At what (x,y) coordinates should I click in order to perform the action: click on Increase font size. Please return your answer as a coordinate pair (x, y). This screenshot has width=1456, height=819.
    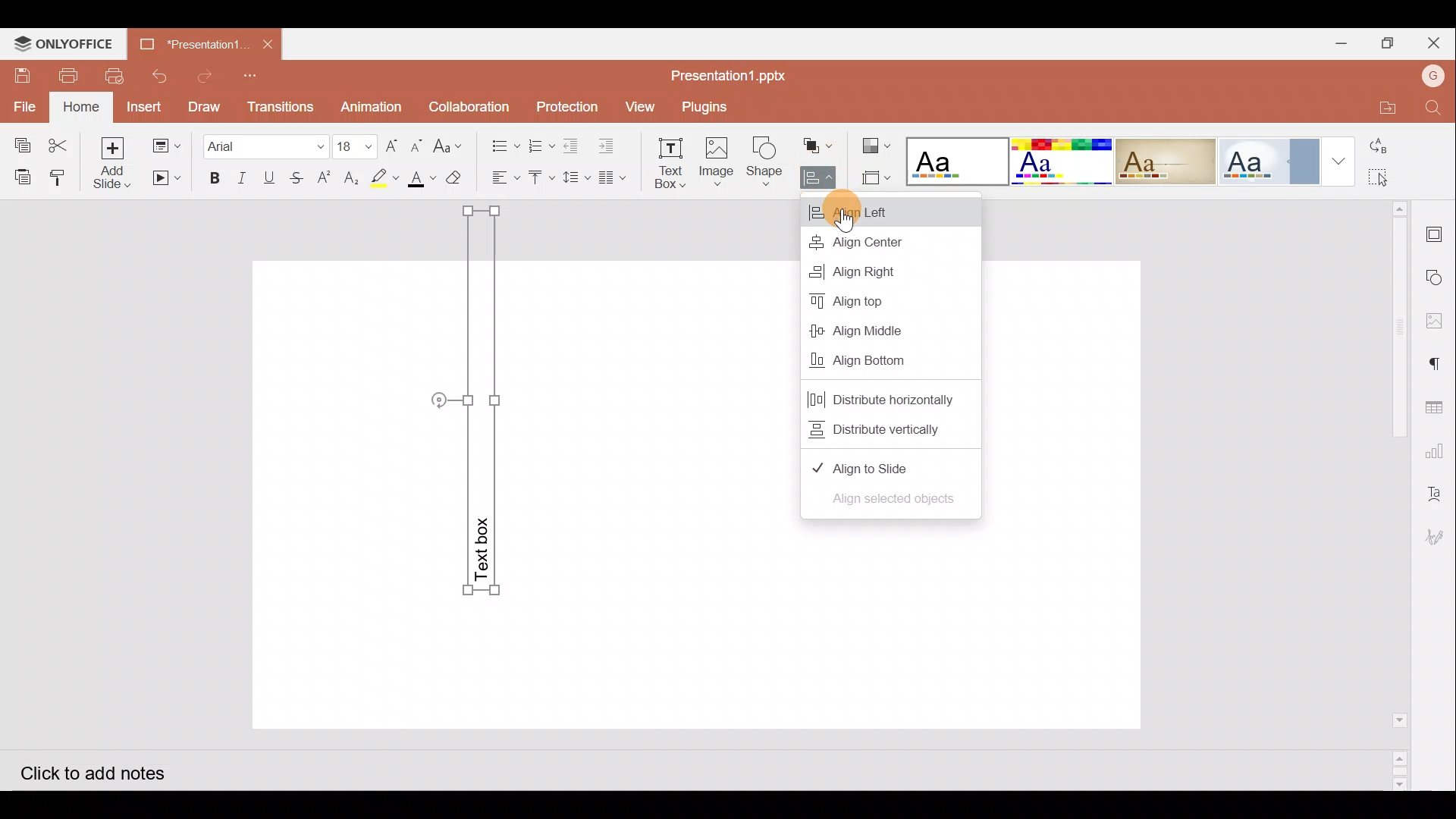
    Looking at the image, I should click on (394, 144).